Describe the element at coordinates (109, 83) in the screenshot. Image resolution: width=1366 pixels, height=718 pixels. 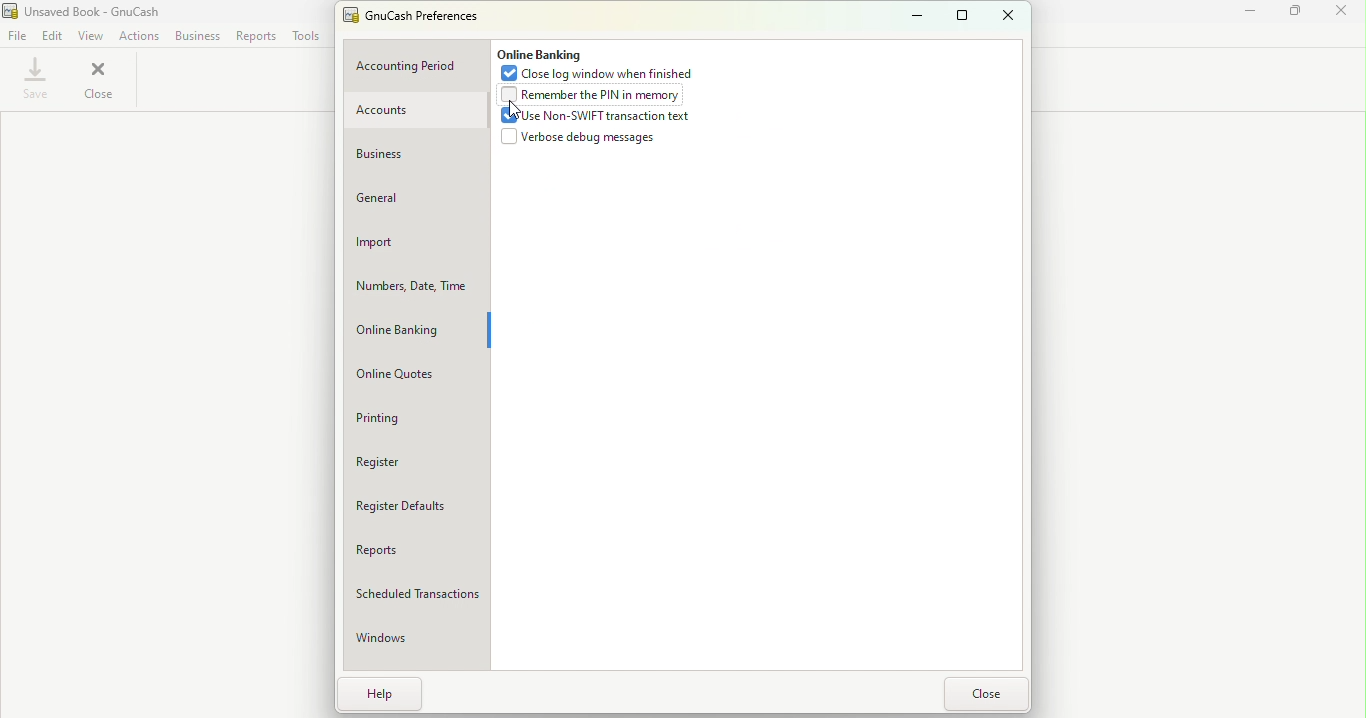
I see `Close` at that location.